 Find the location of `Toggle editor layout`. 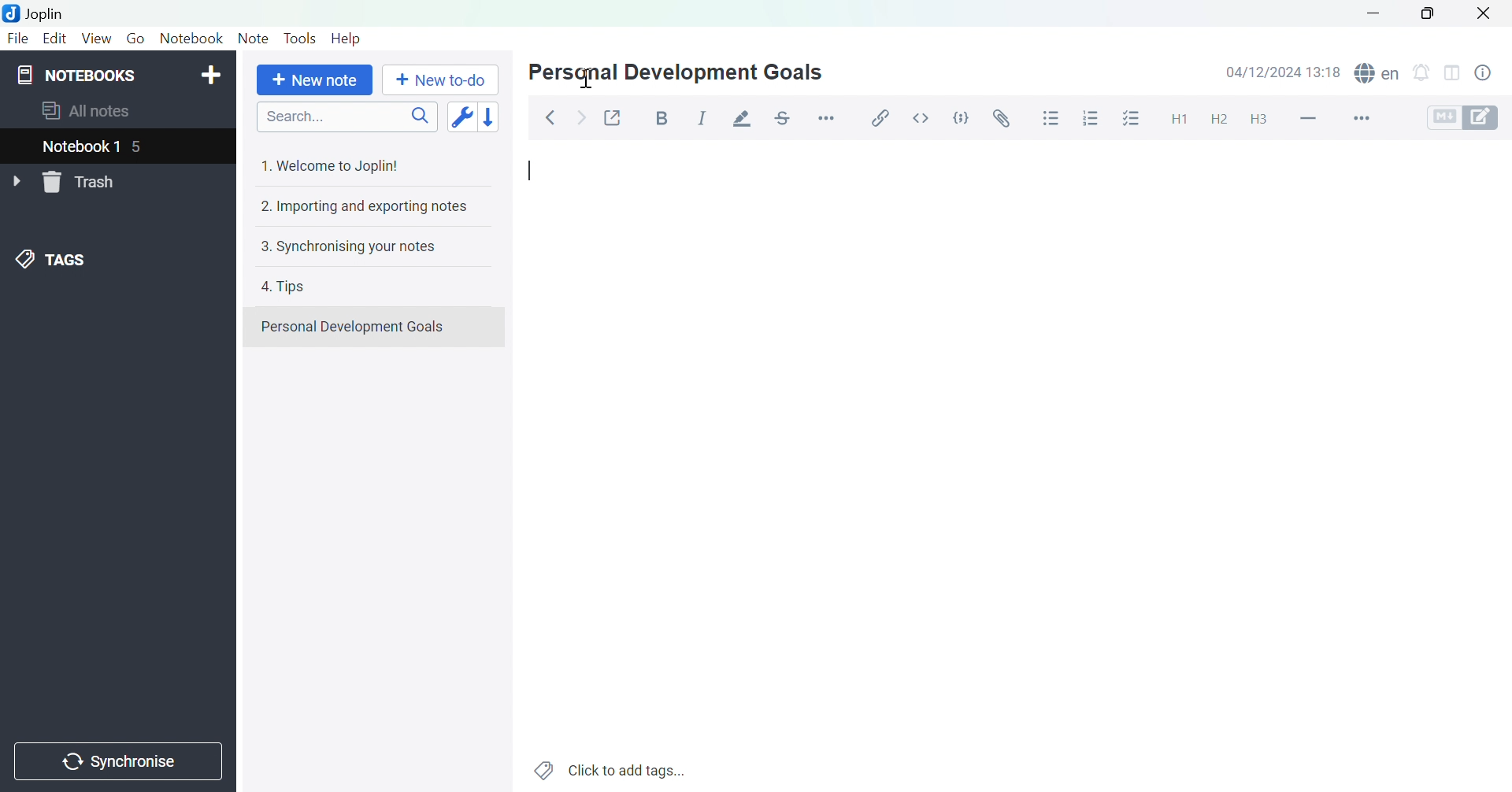

Toggle editor layout is located at coordinates (1452, 76).